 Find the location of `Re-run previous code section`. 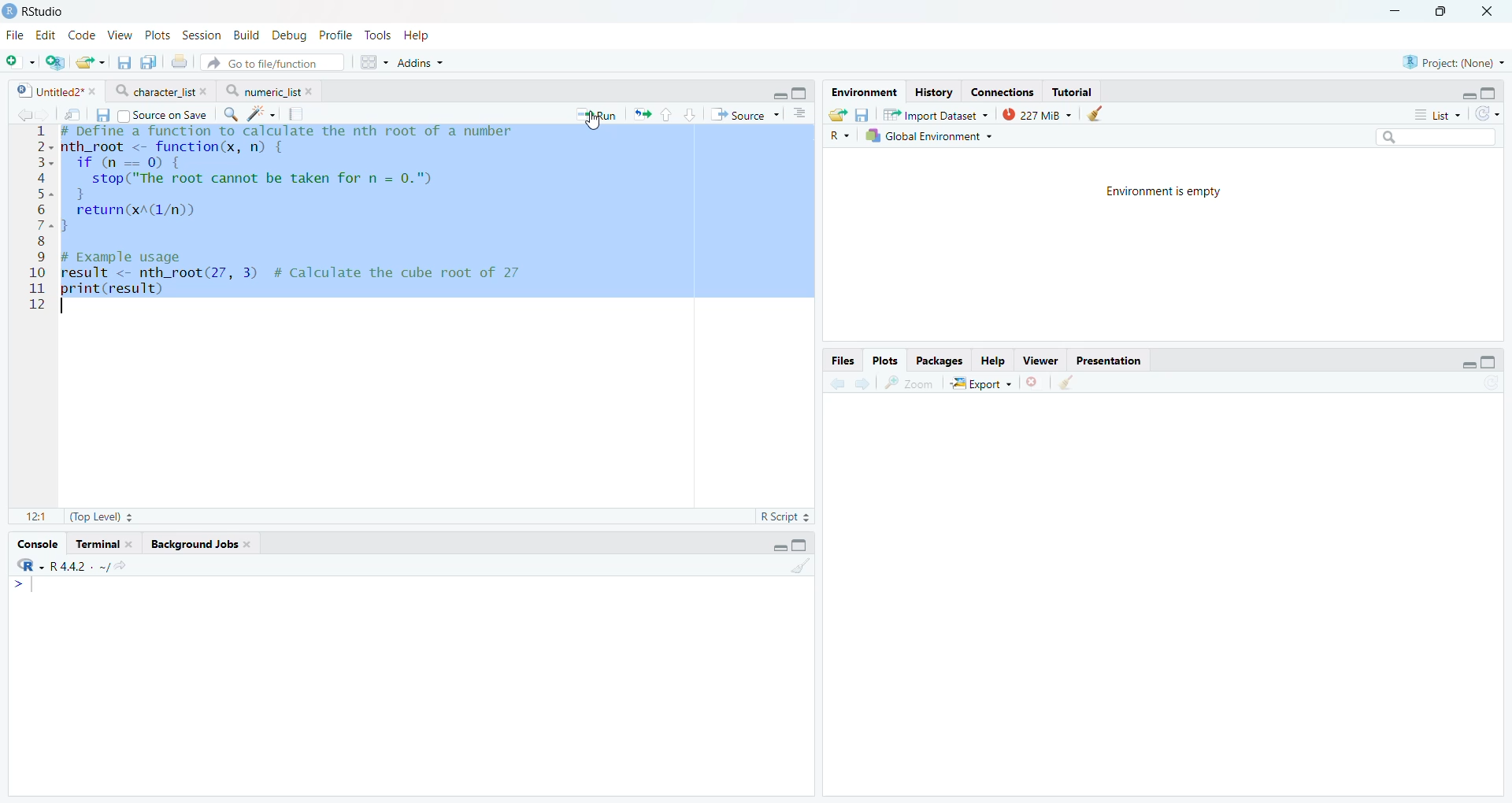

Re-run previous code section is located at coordinates (641, 115).